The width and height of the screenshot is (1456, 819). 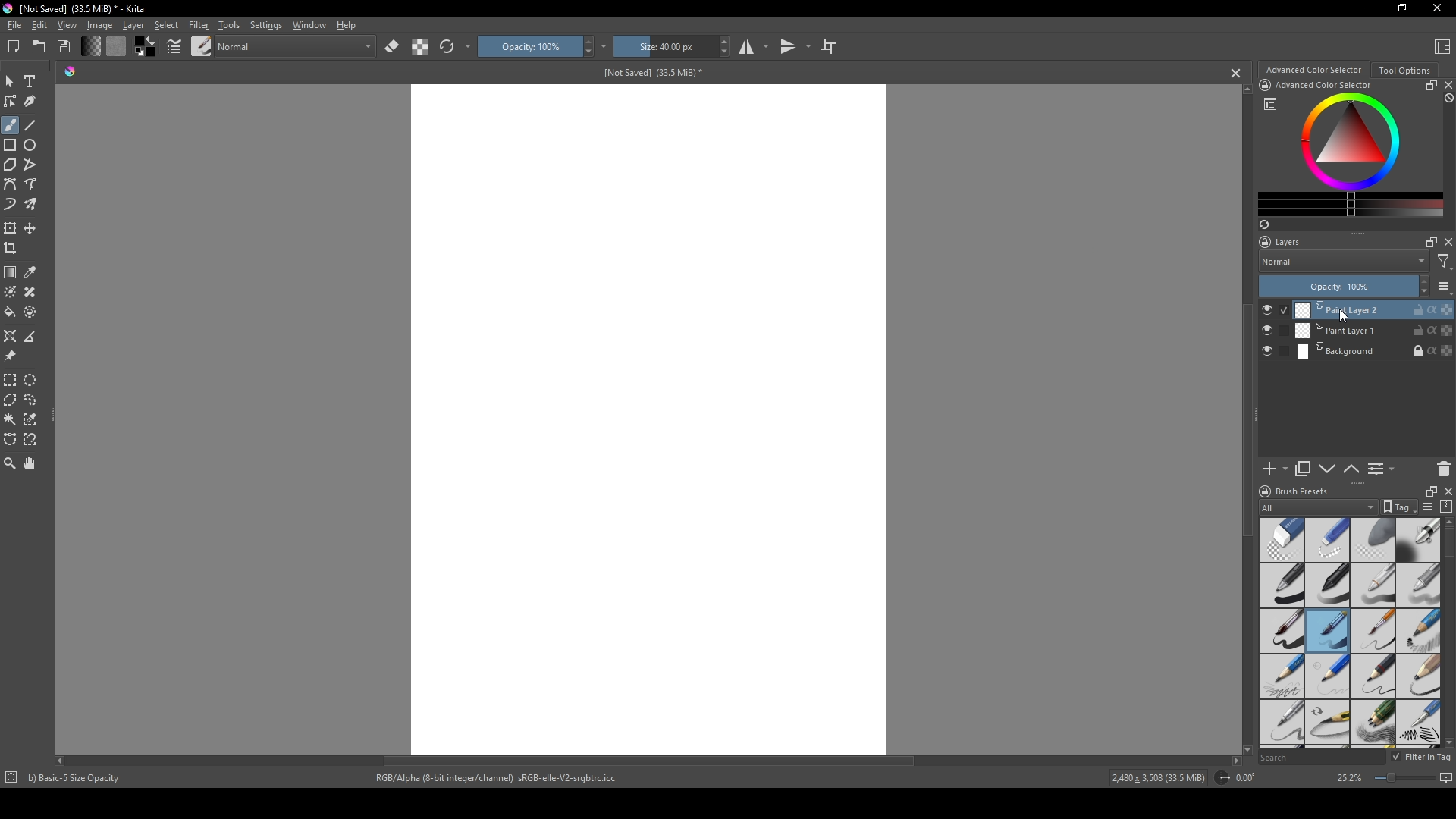 I want to click on logo, so click(x=9, y=8).